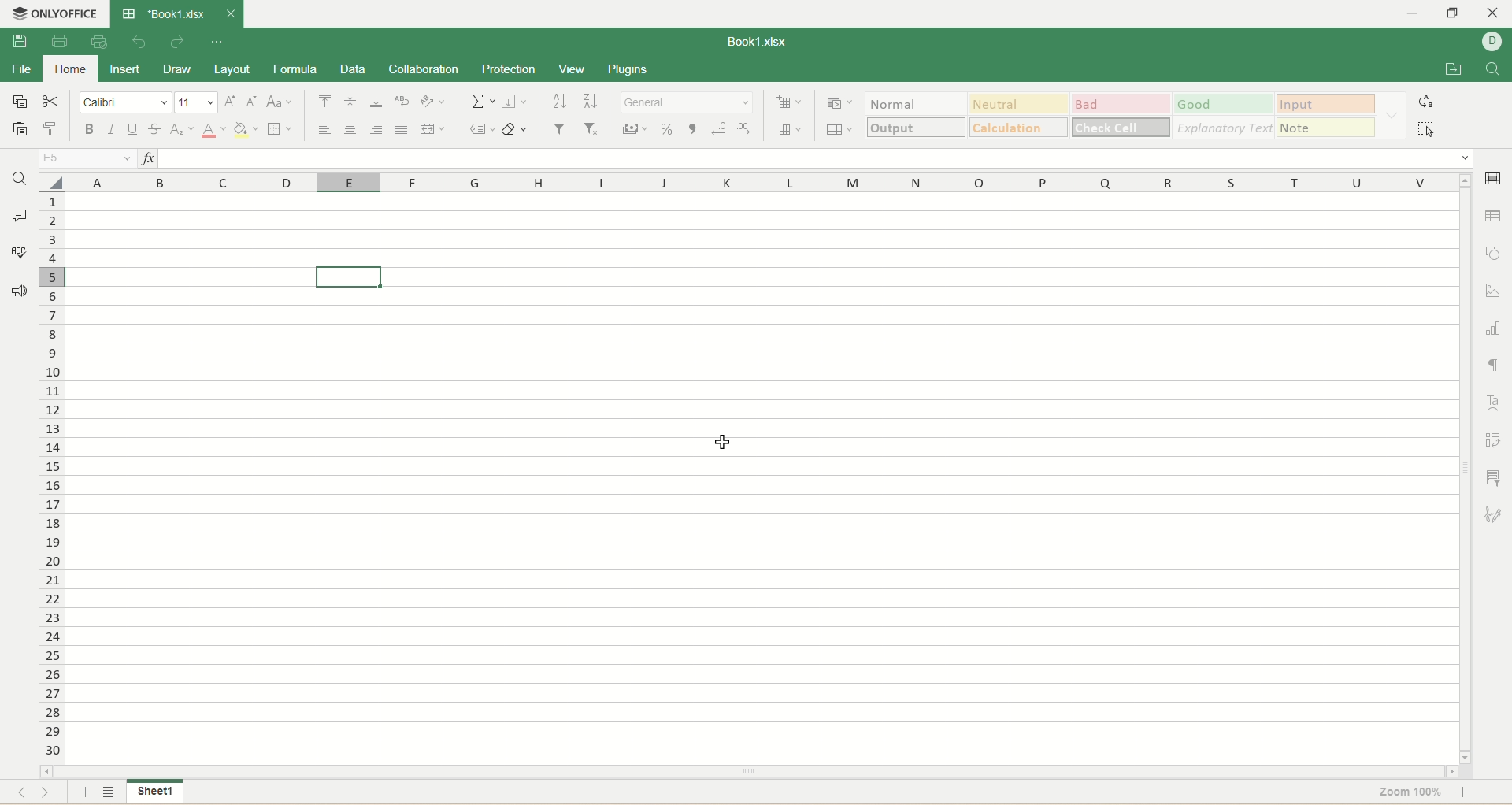 The width and height of the screenshot is (1512, 805). I want to click on print, so click(61, 43).